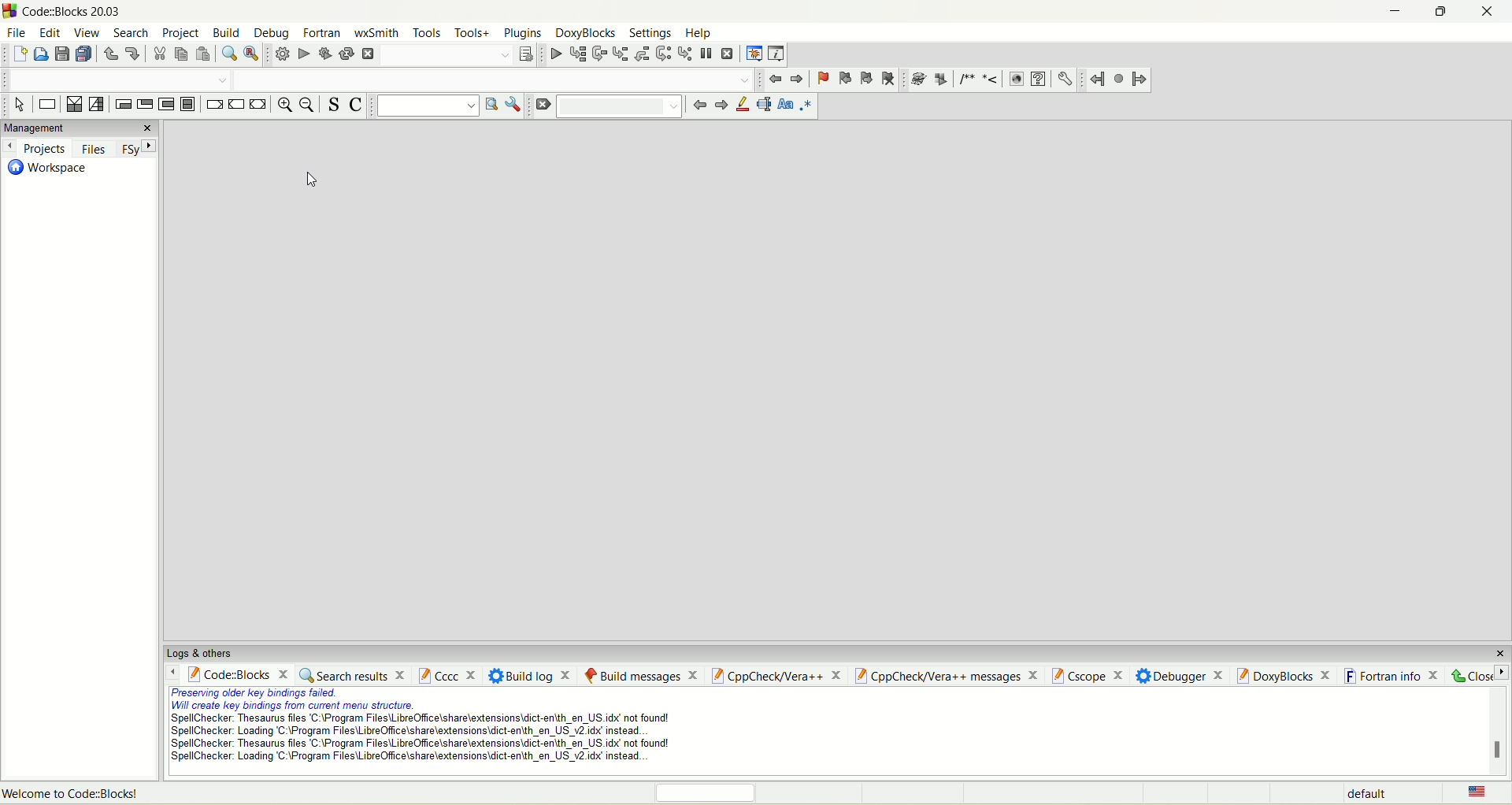 The width and height of the screenshot is (1512, 805). I want to click on workspace, so click(48, 171).